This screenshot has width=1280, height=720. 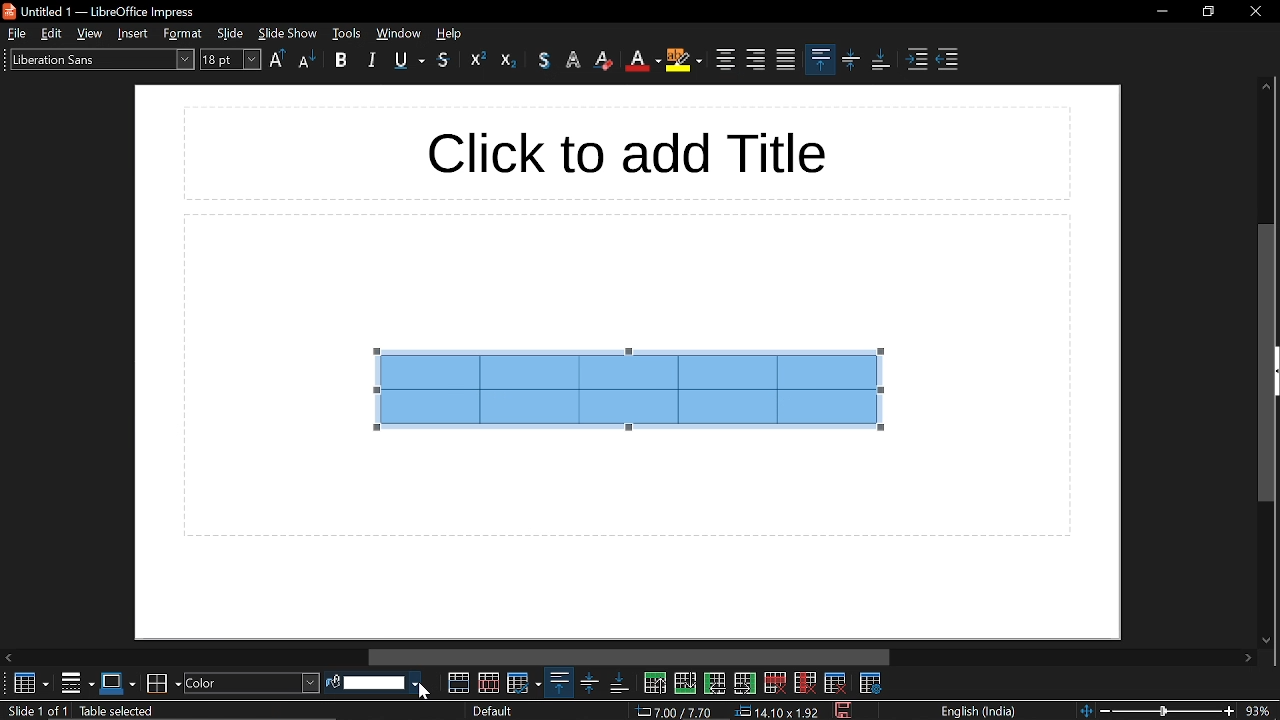 I want to click on eraser, so click(x=509, y=59).